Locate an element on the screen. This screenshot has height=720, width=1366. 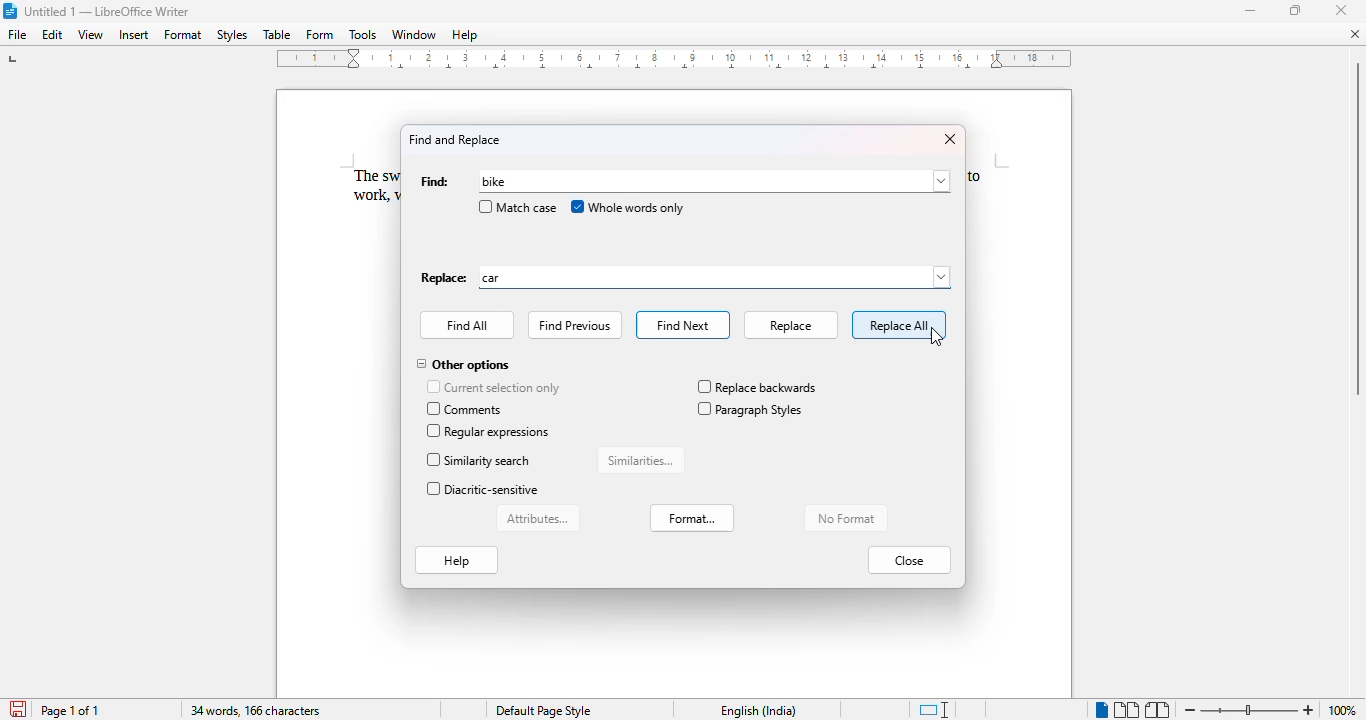
standard selection is located at coordinates (934, 710).